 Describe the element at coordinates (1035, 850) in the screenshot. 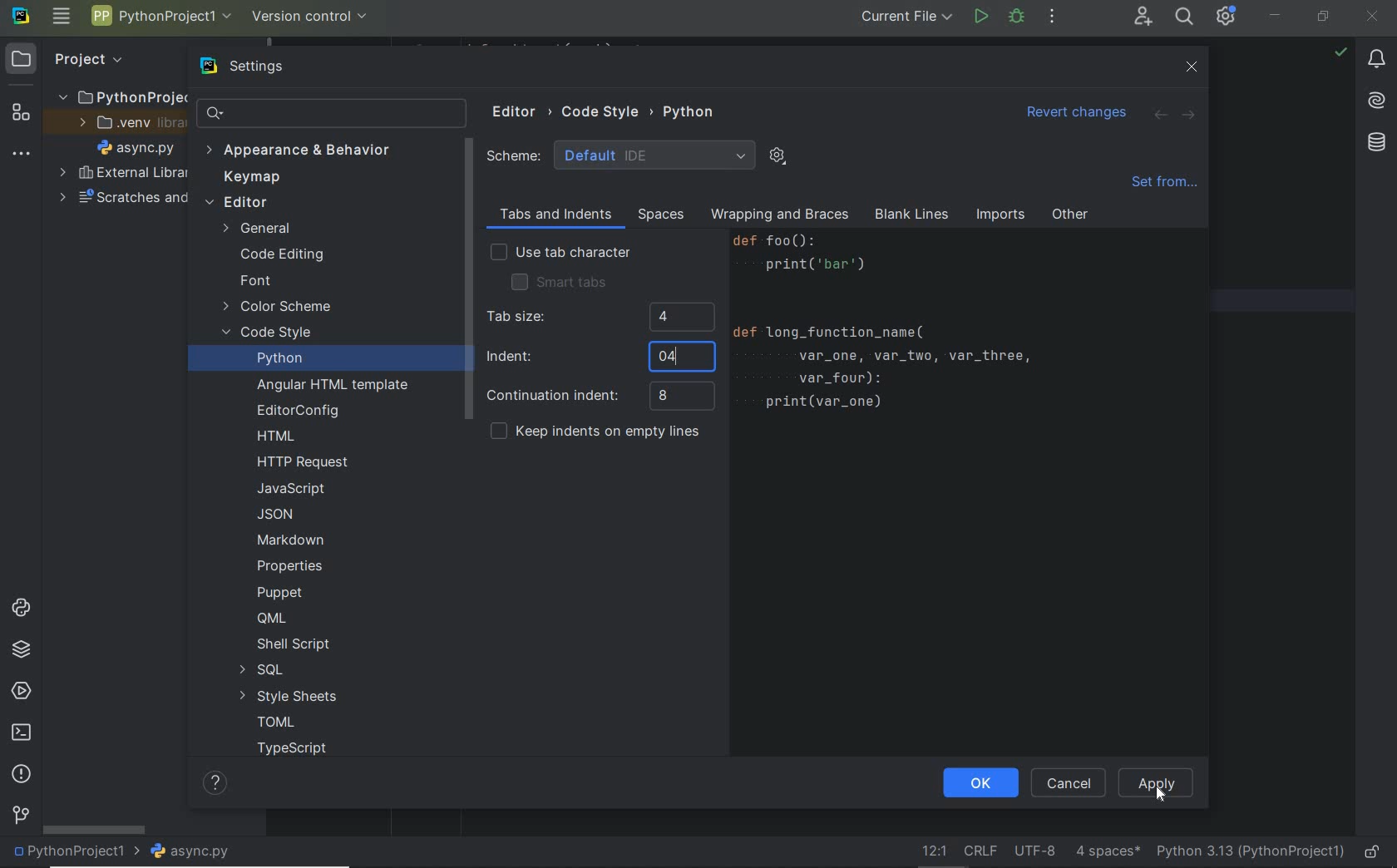

I see `file encoding` at that location.